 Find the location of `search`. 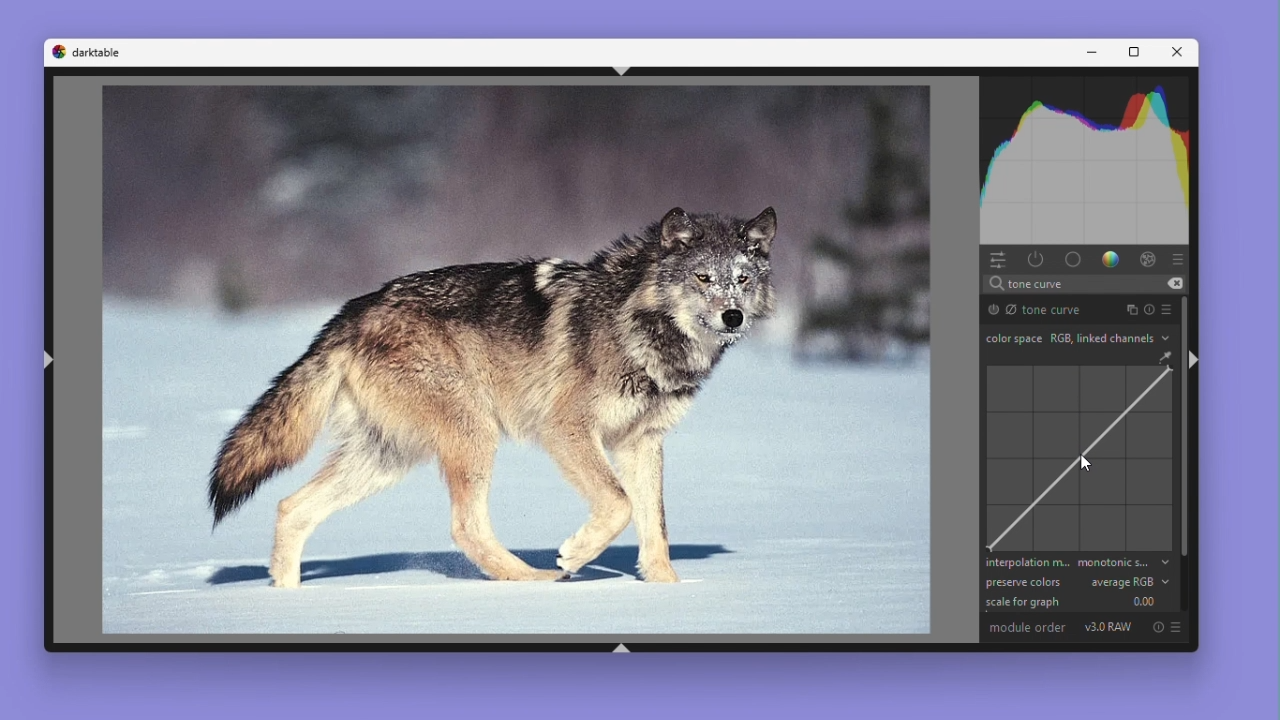

search is located at coordinates (995, 284).